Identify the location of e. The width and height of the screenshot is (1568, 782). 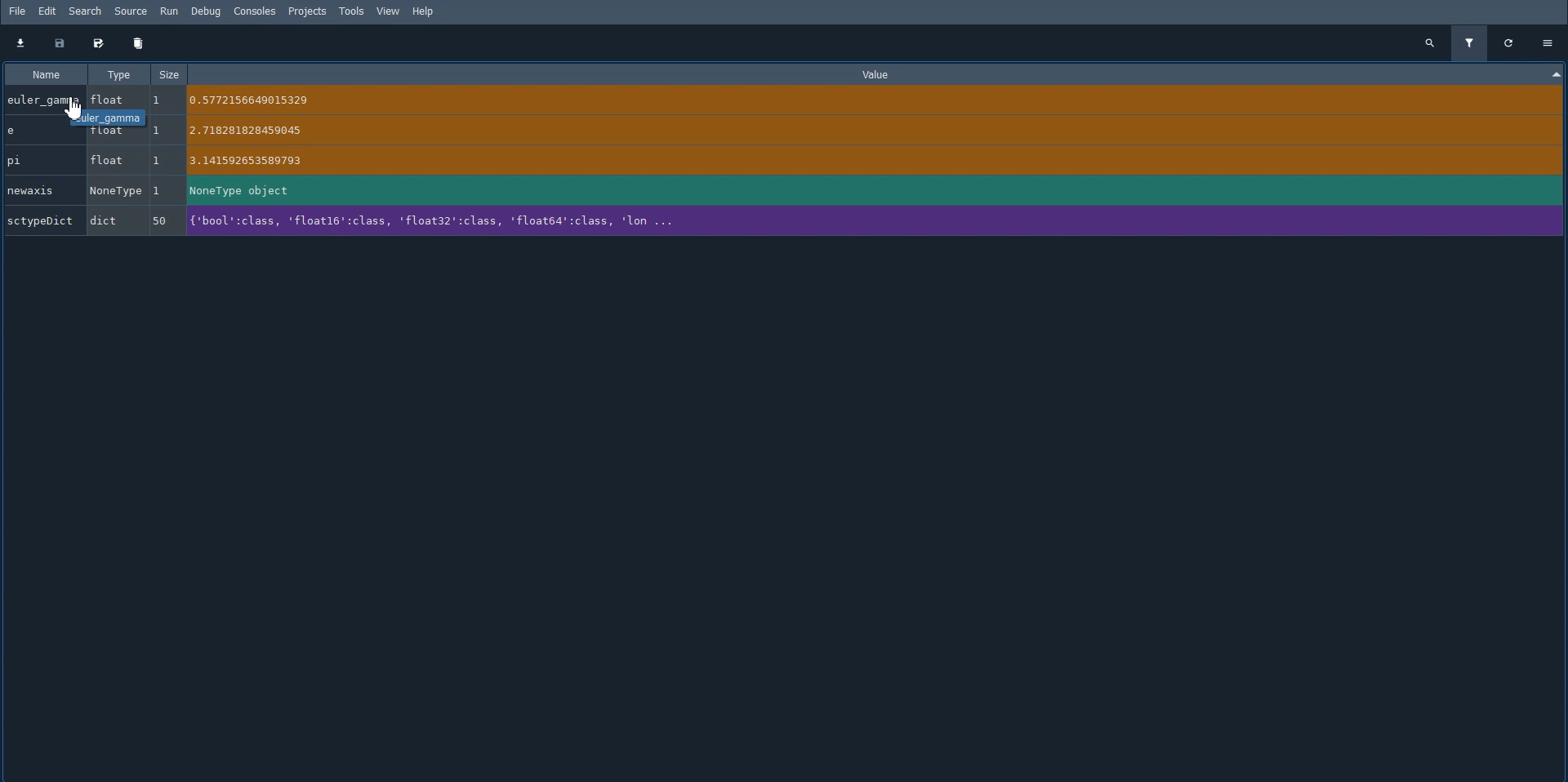
(416, 136).